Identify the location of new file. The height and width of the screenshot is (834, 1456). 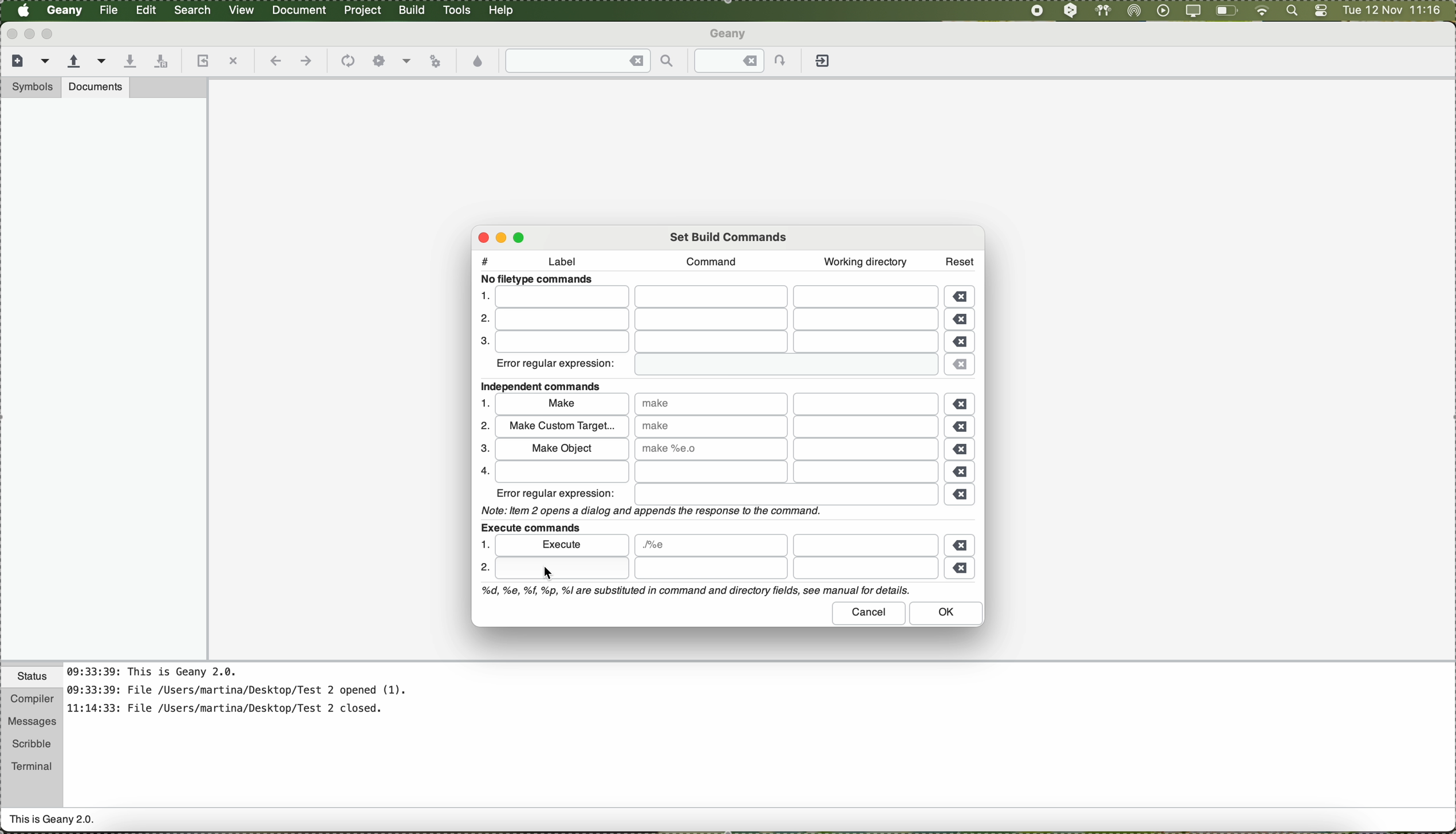
(15, 60).